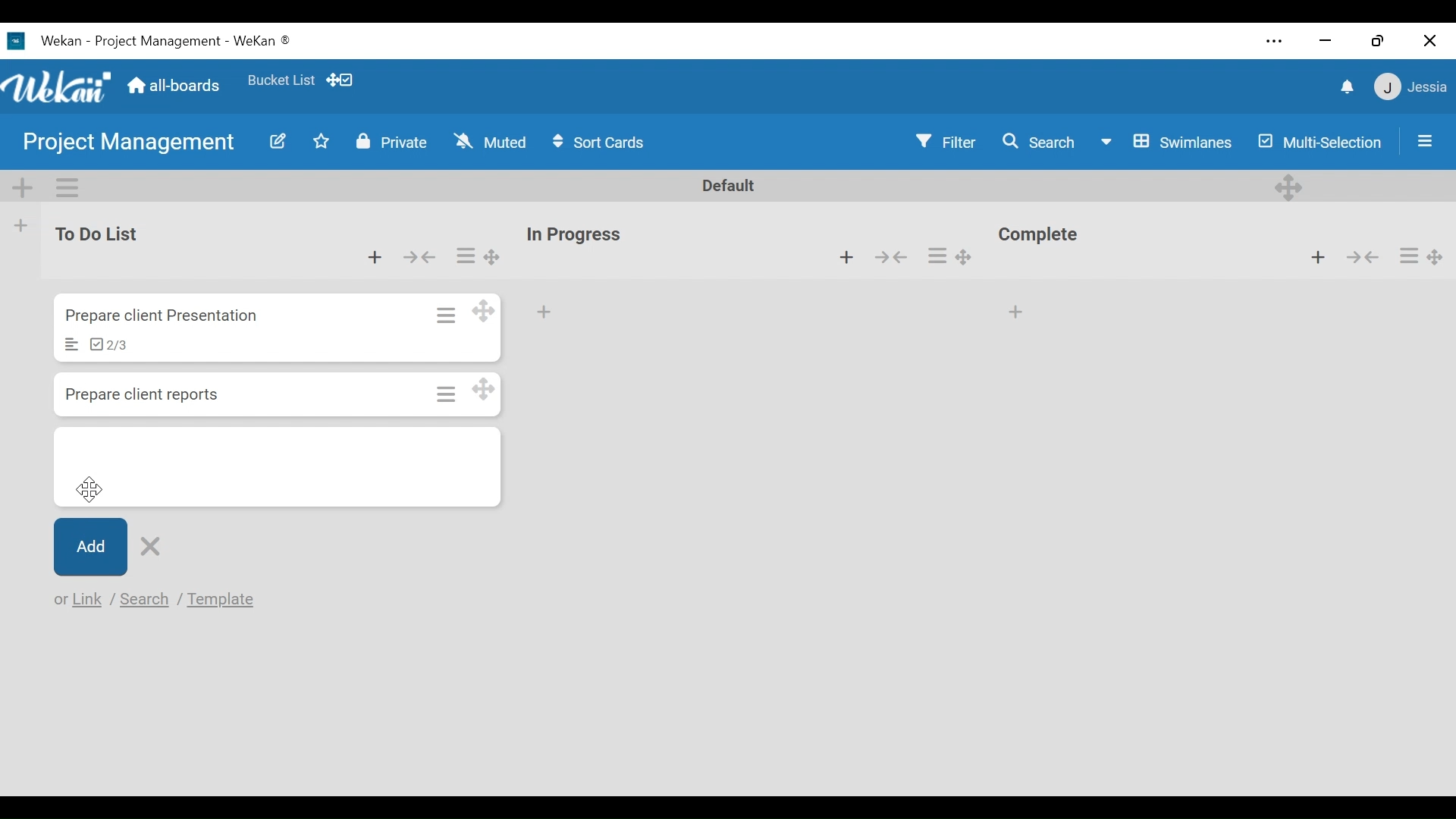 The width and height of the screenshot is (1456, 819). What do you see at coordinates (174, 86) in the screenshot?
I see `All-boards` at bounding box center [174, 86].